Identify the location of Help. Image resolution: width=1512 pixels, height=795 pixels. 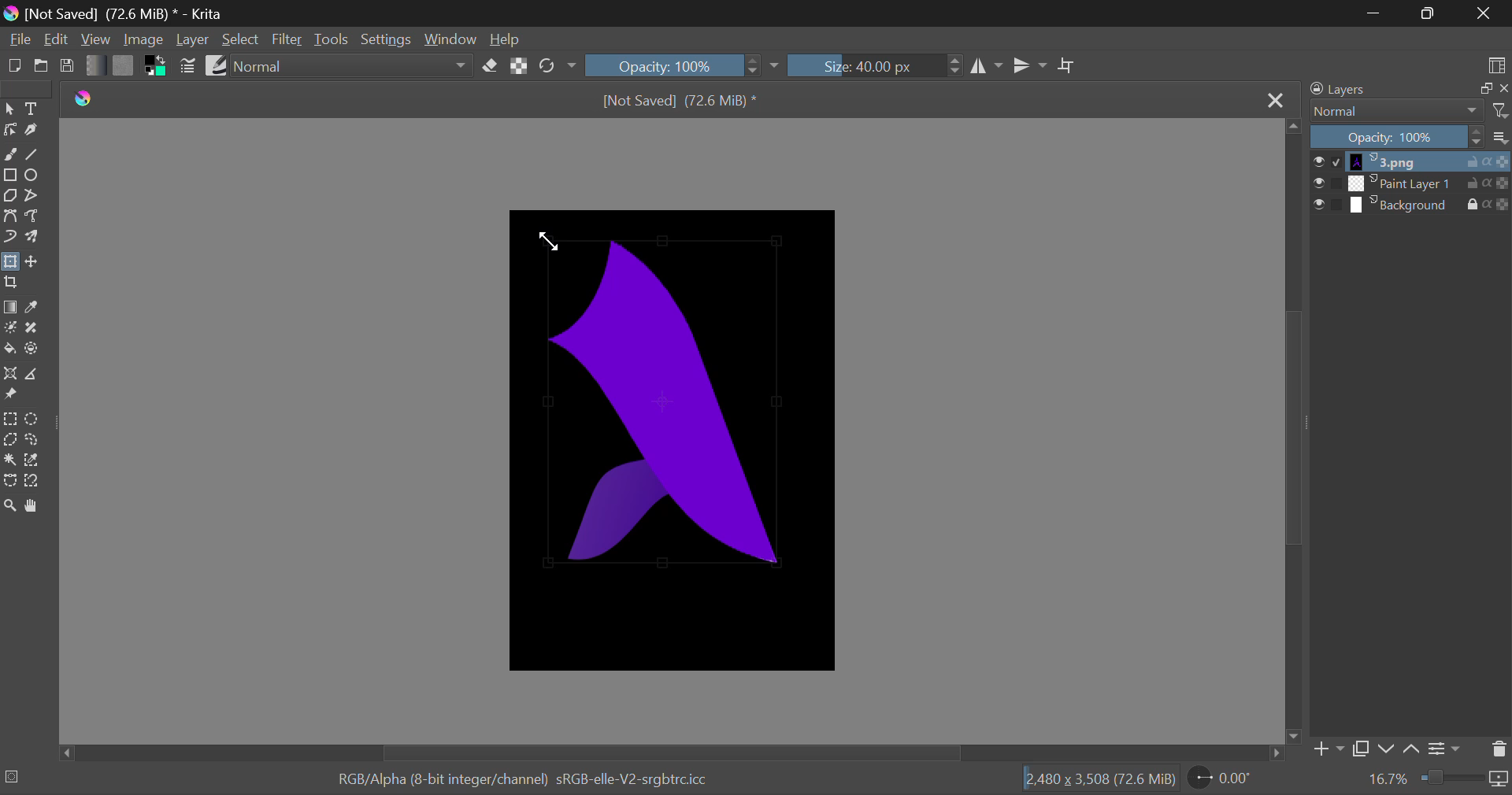
(504, 39).